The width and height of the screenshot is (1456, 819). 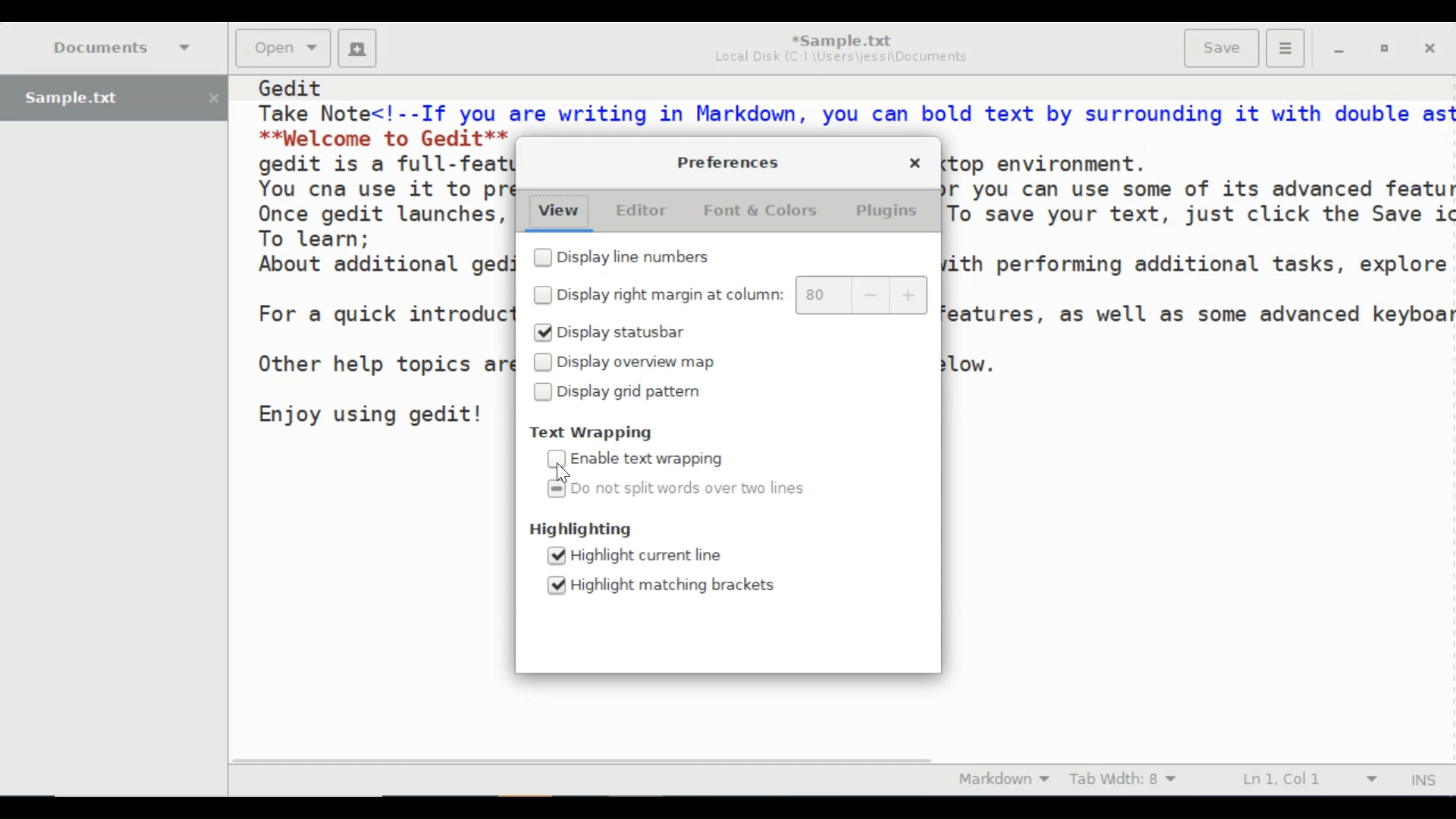 I want to click on Save, so click(x=1221, y=48).